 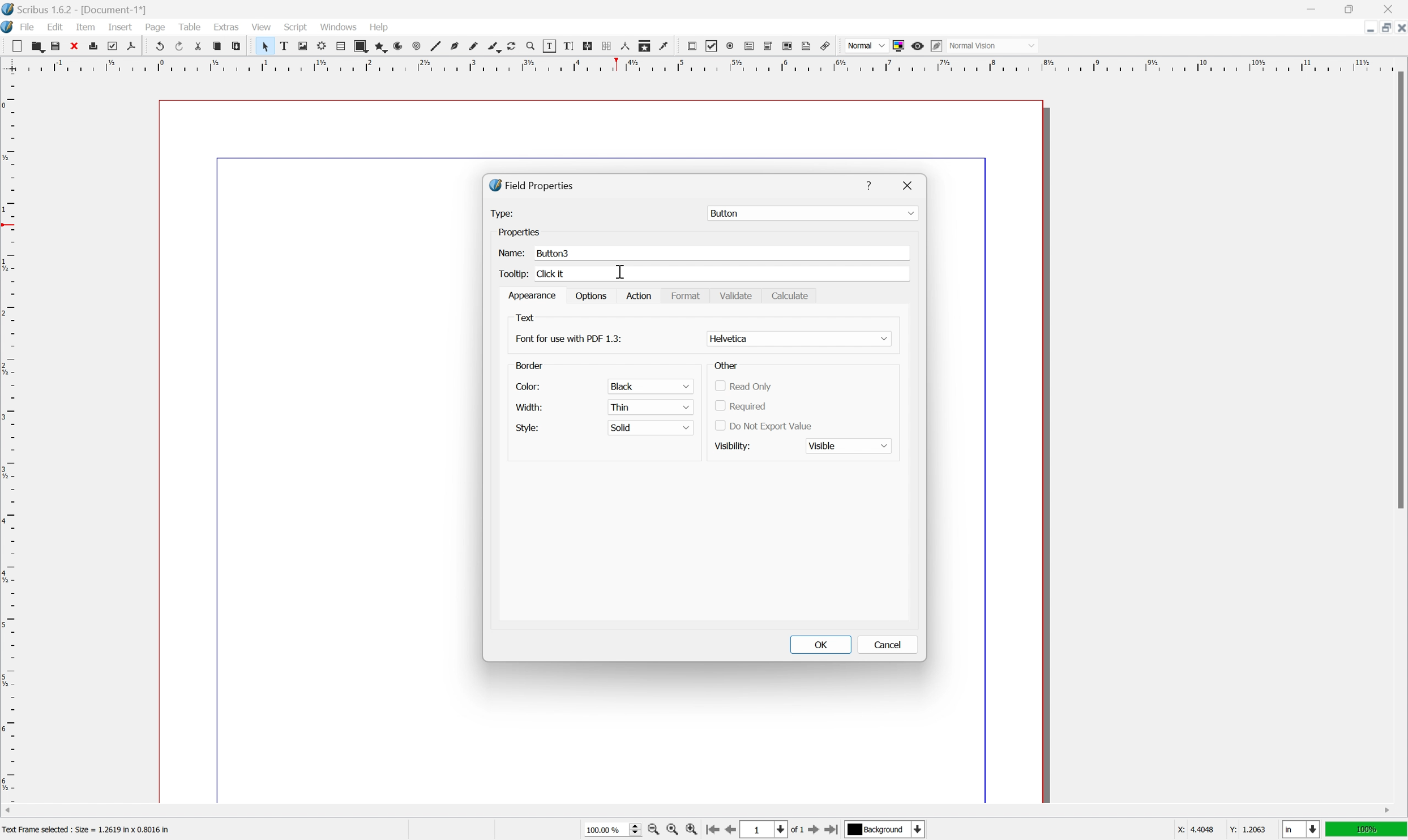 What do you see at coordinates (379, 27) in the screenshot?
I see `help` at bounding box center [379, 27].